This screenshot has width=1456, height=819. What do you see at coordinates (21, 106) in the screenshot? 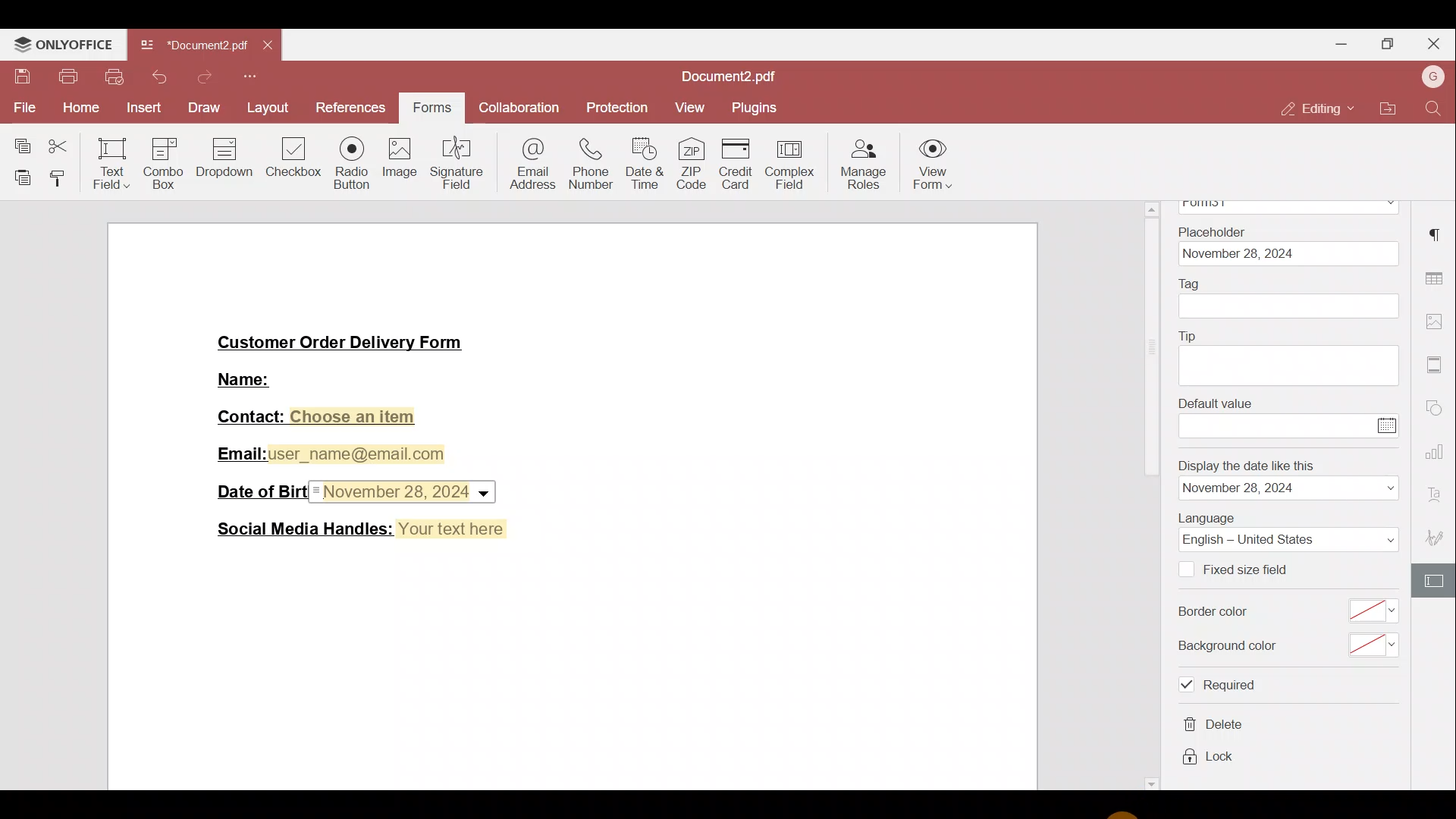
I see `File` at bounding box center [21, 106].